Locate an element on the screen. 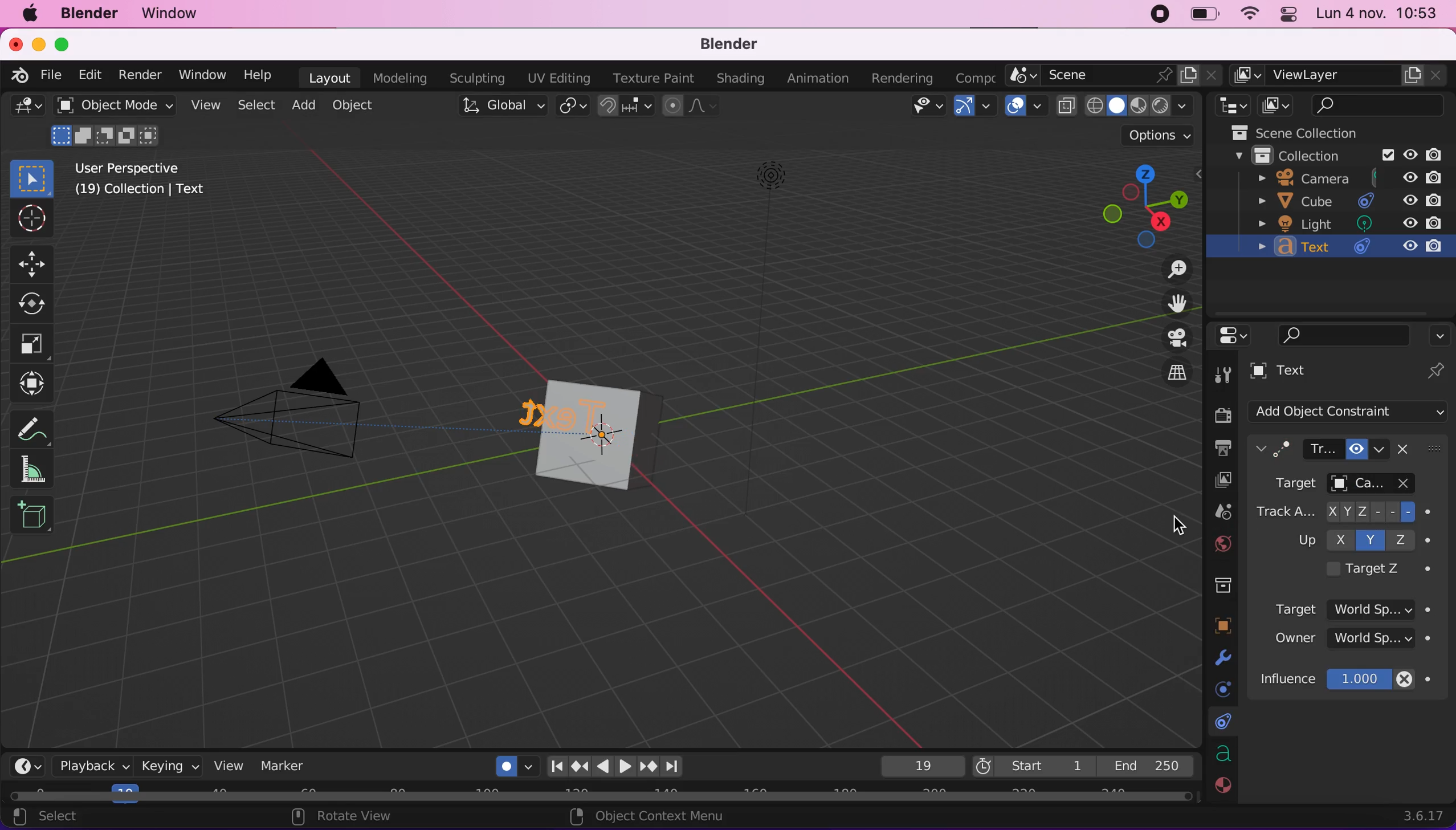 This screenshot has height=830, width=1456. editor type is located at coordinates (1231, 106).